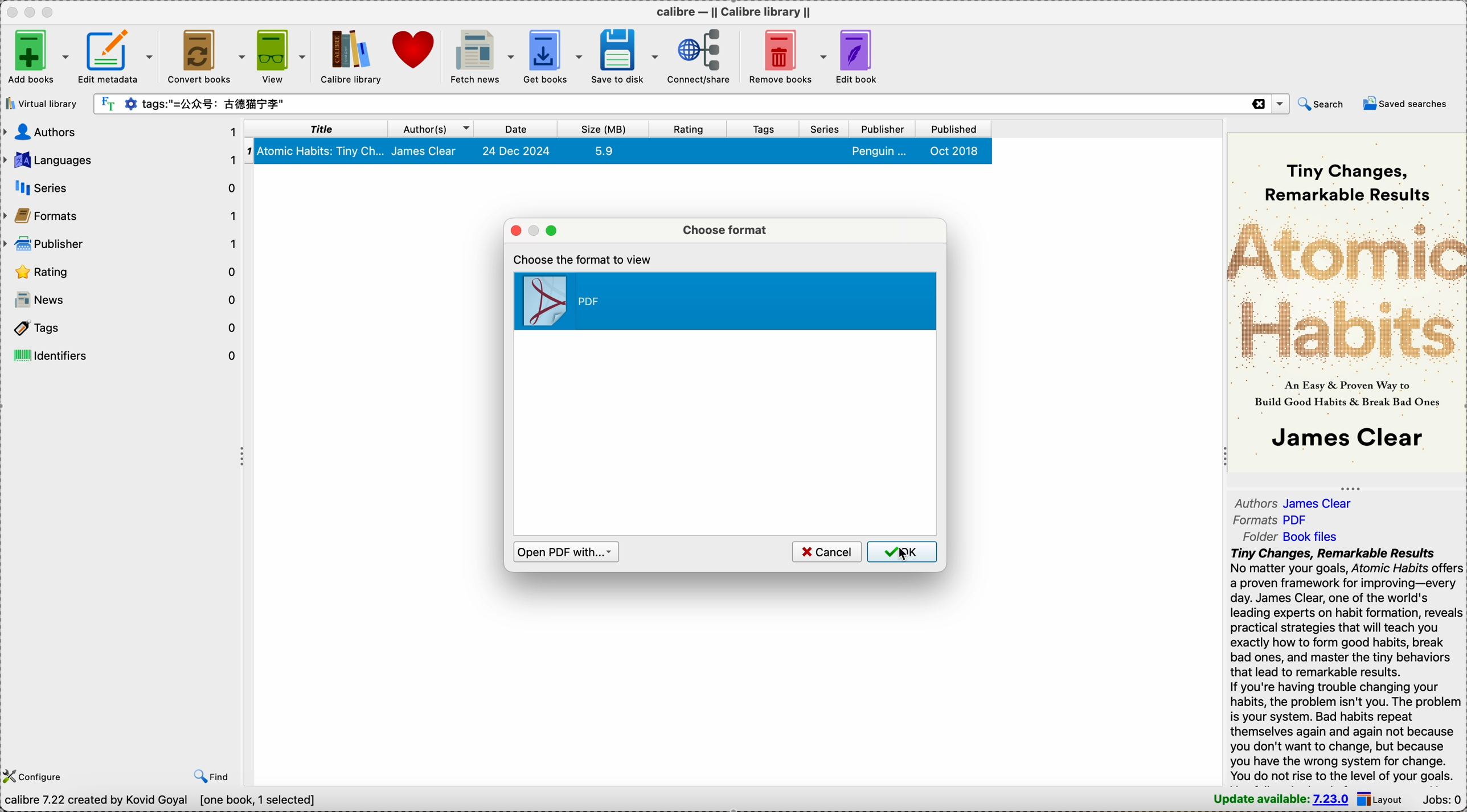  Describe the element at coordinates (351, 56) in the screenshot. I see `Calibre library` at that location.